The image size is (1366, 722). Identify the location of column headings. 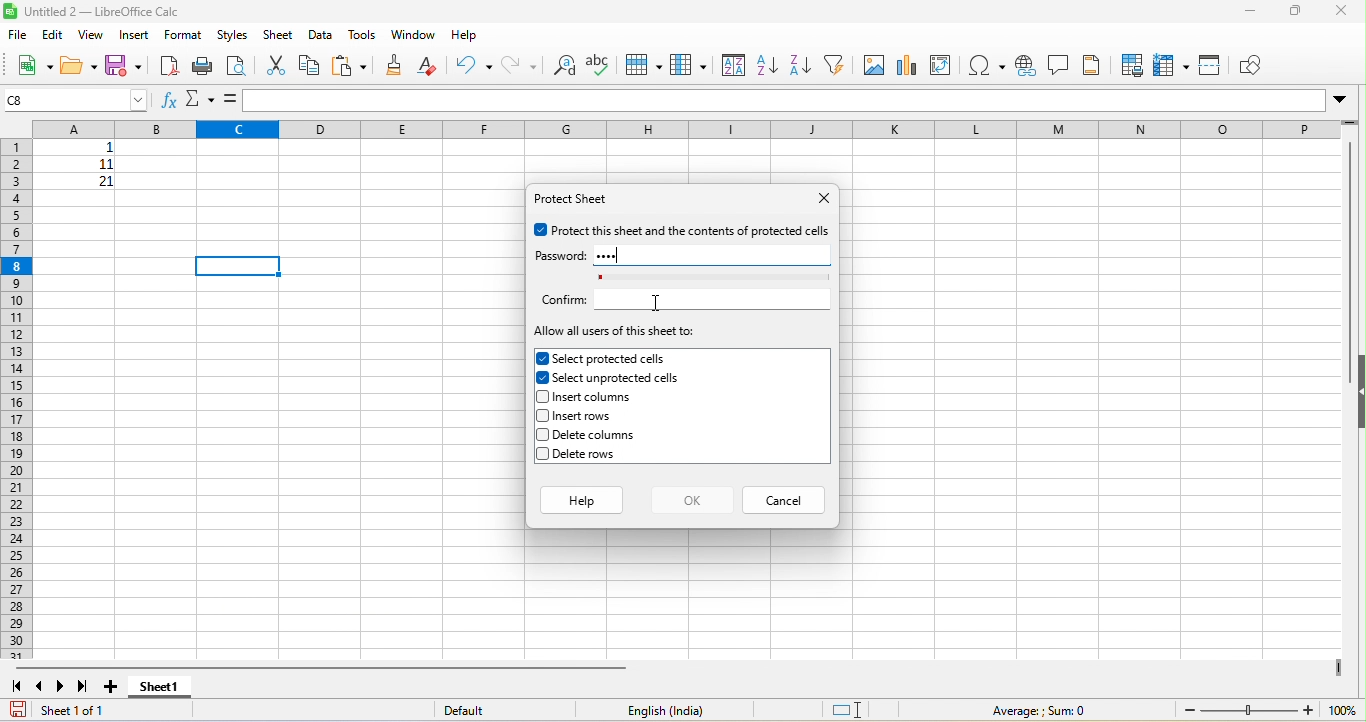
(676, 127).